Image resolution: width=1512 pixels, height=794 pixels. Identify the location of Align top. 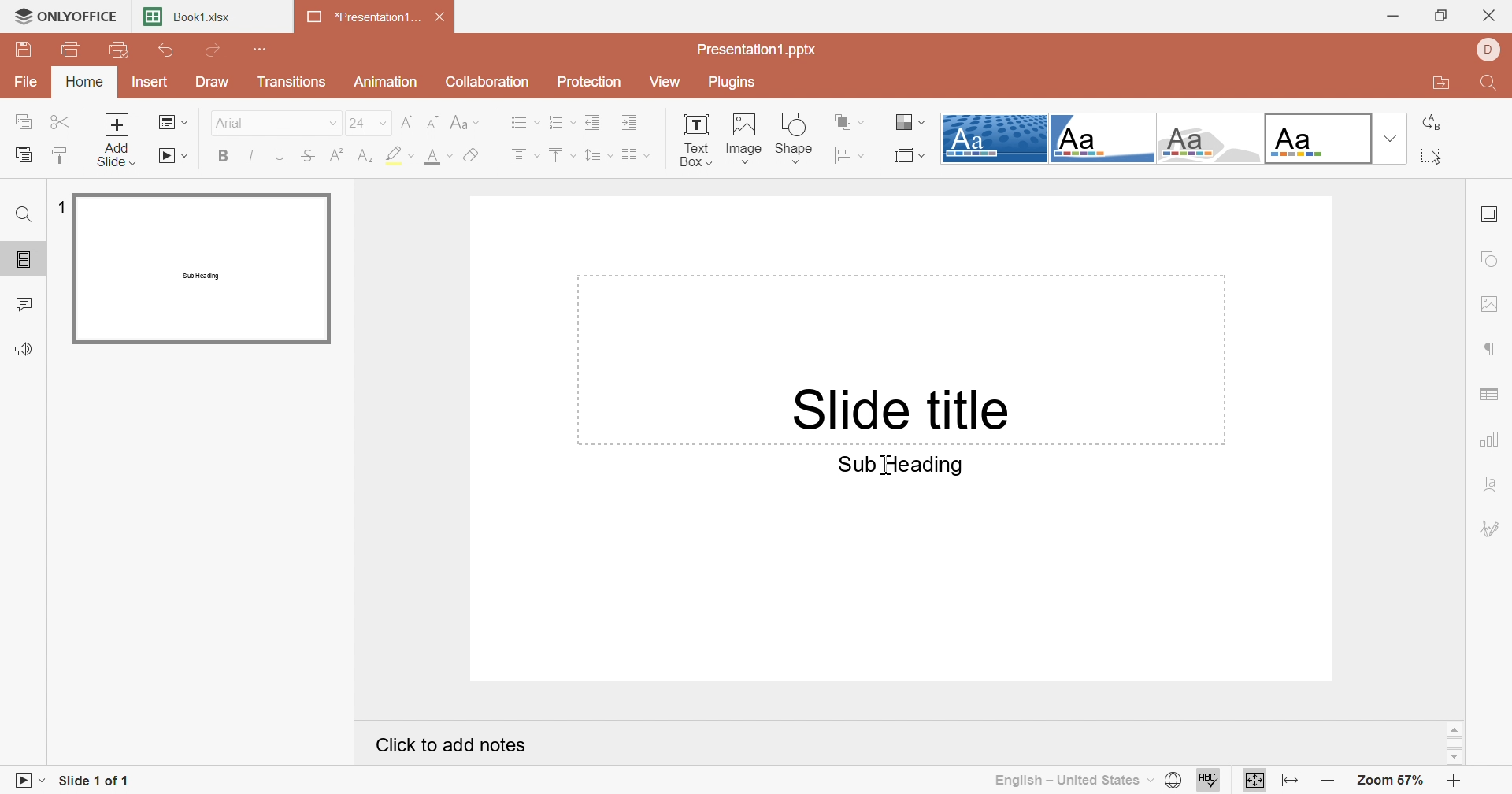
(561, 153).